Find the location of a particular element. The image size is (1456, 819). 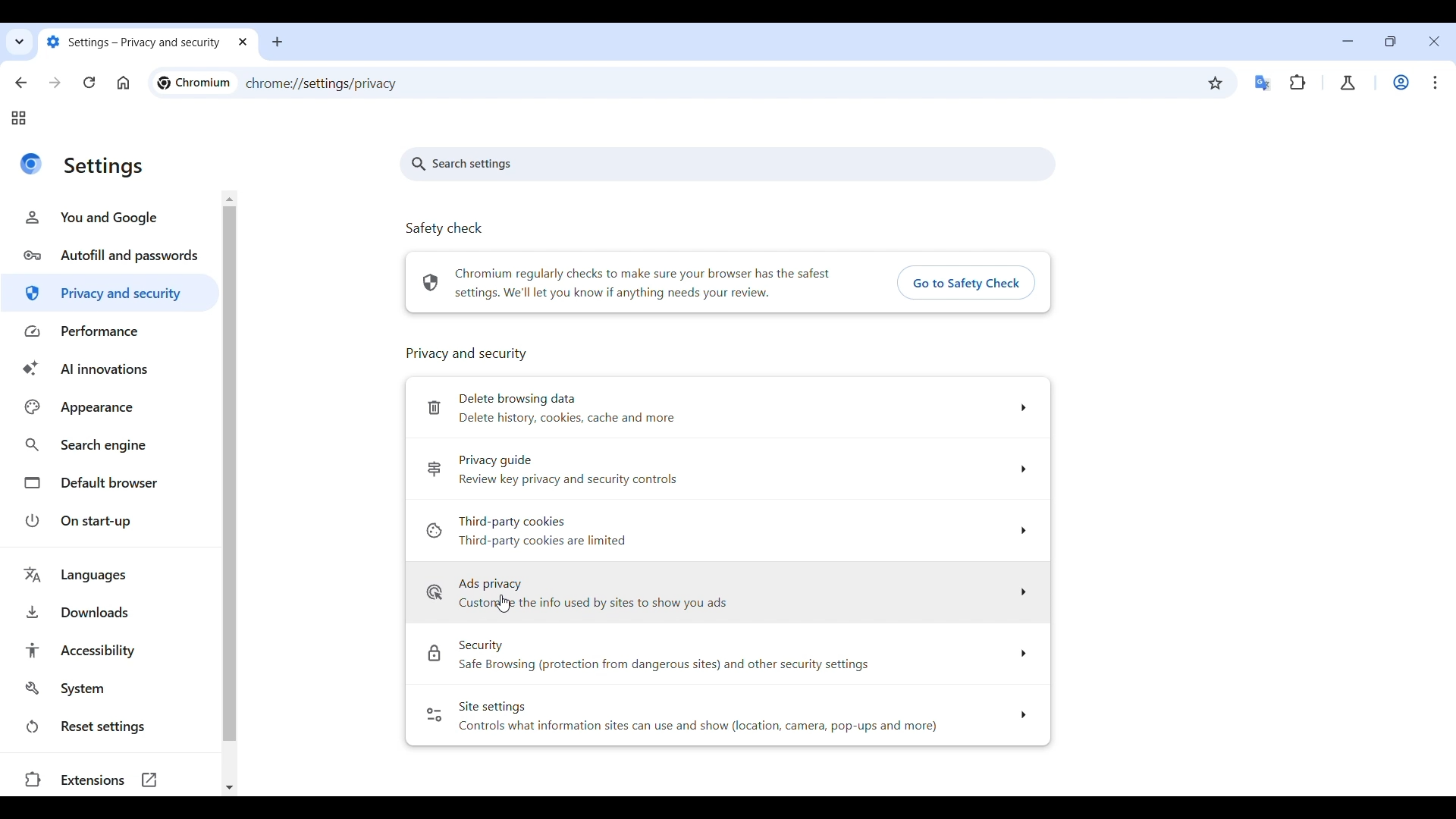

Google translator extension is located at coordinates (1263, 83).